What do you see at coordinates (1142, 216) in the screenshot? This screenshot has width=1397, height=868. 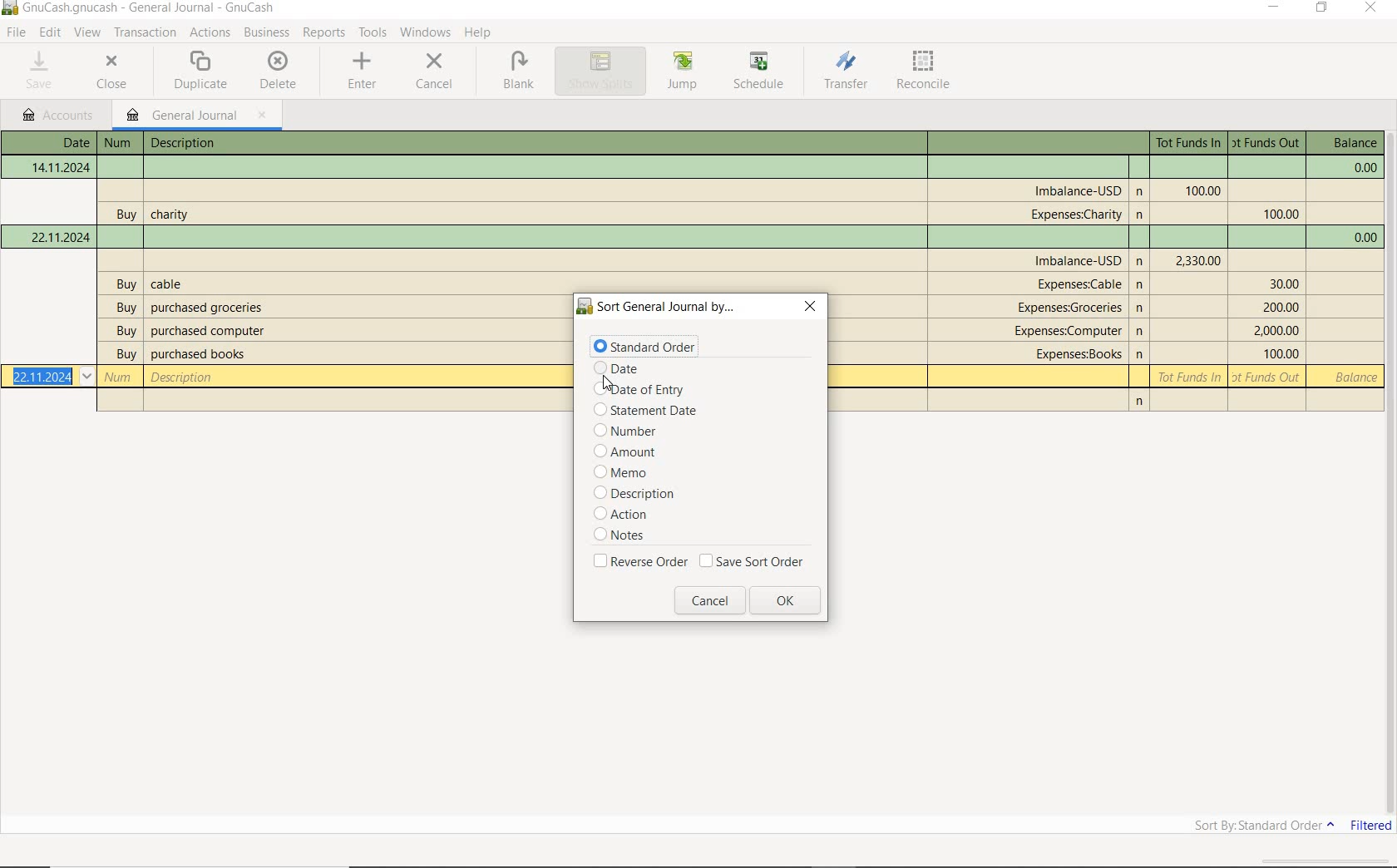 I see `n` at bounding box center [1142, 216].